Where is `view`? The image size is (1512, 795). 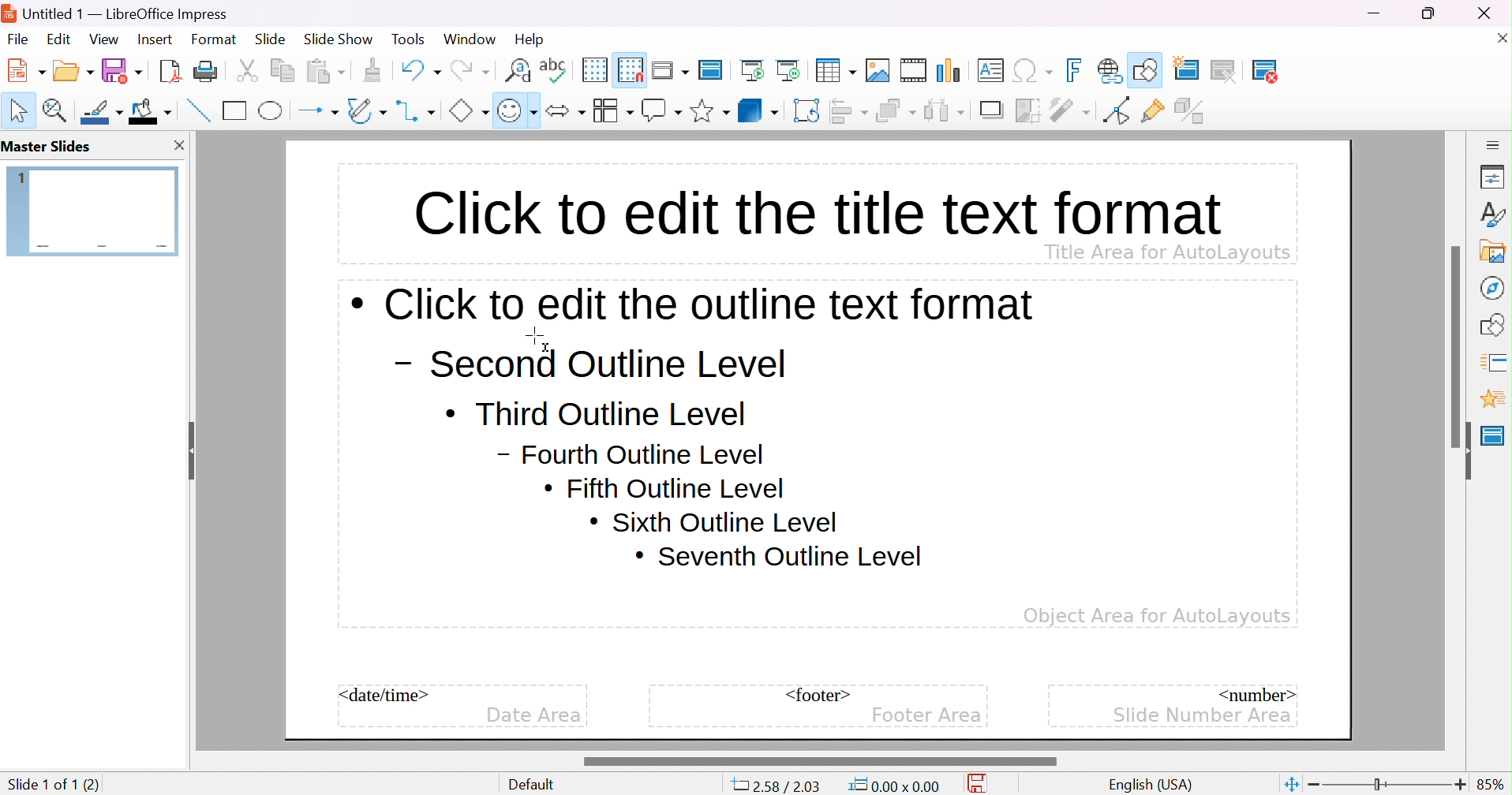 view is located at coordinates (103, 39).